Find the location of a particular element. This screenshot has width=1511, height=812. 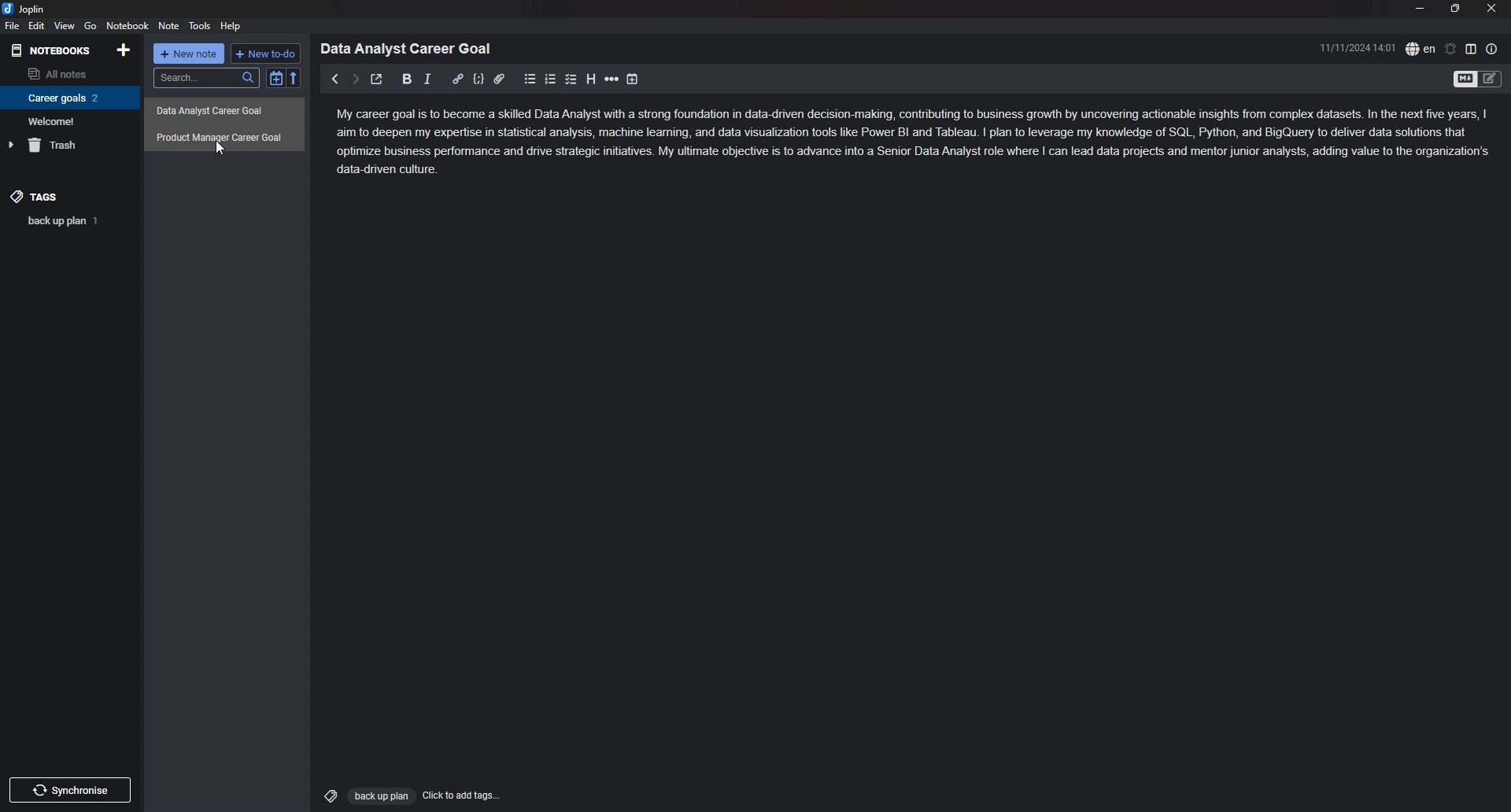

add notebook is located at coordinates (125, 50).